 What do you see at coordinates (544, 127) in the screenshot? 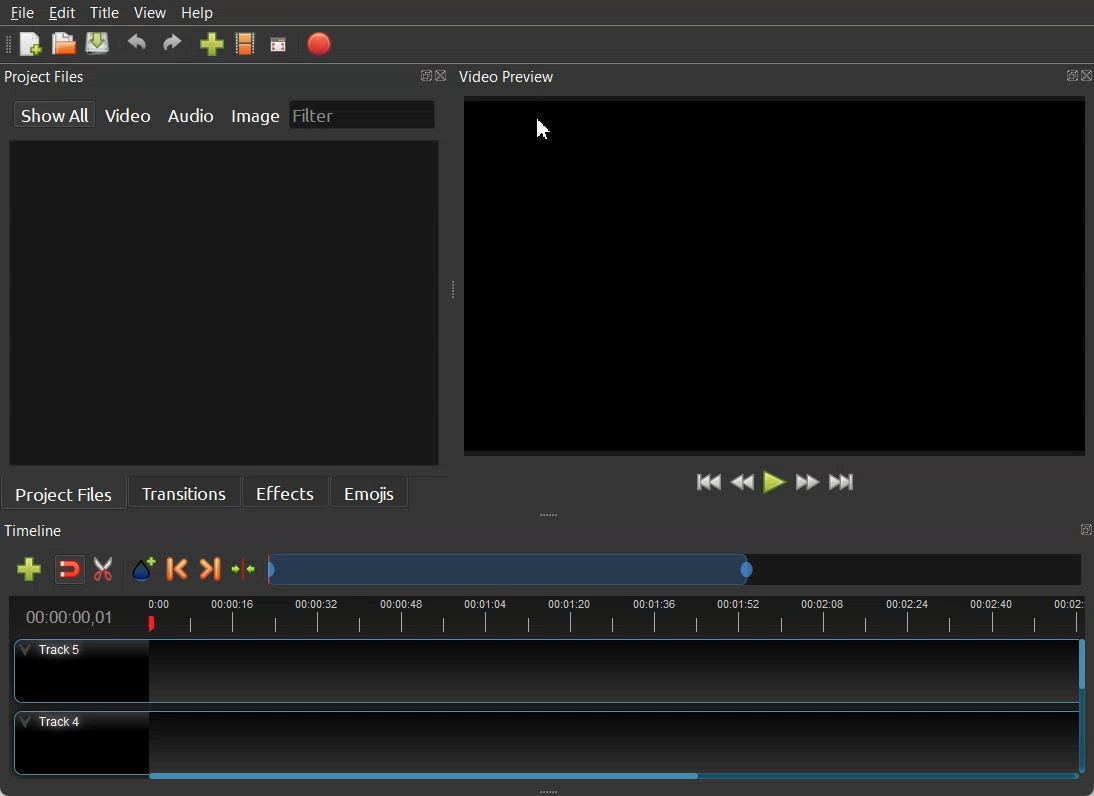
I see `Cursor` at bounding box center [544, 127].